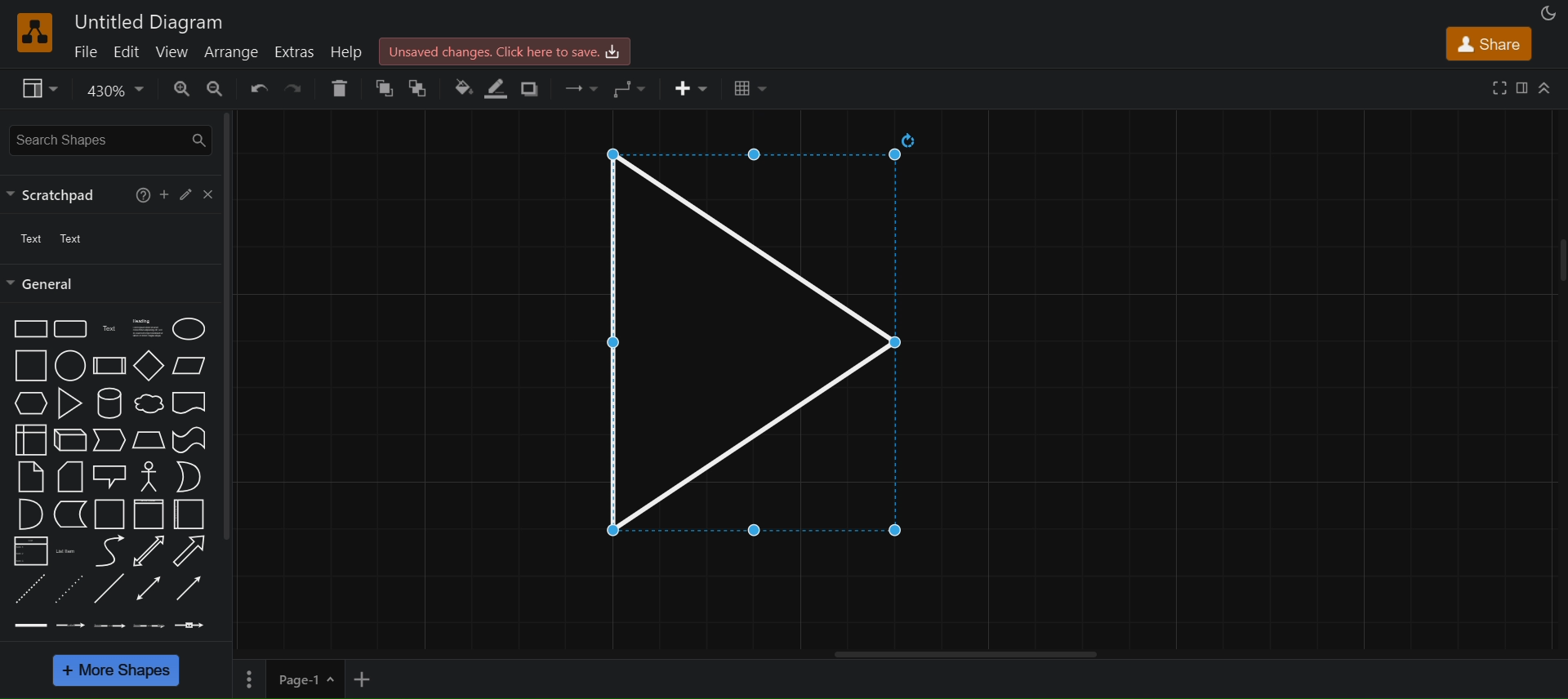 Image resolution: width=1568 pixels, height=699 pixels. Describe the element at coordinates (535, 89) in the screenshot. I see `shadow` at that location.